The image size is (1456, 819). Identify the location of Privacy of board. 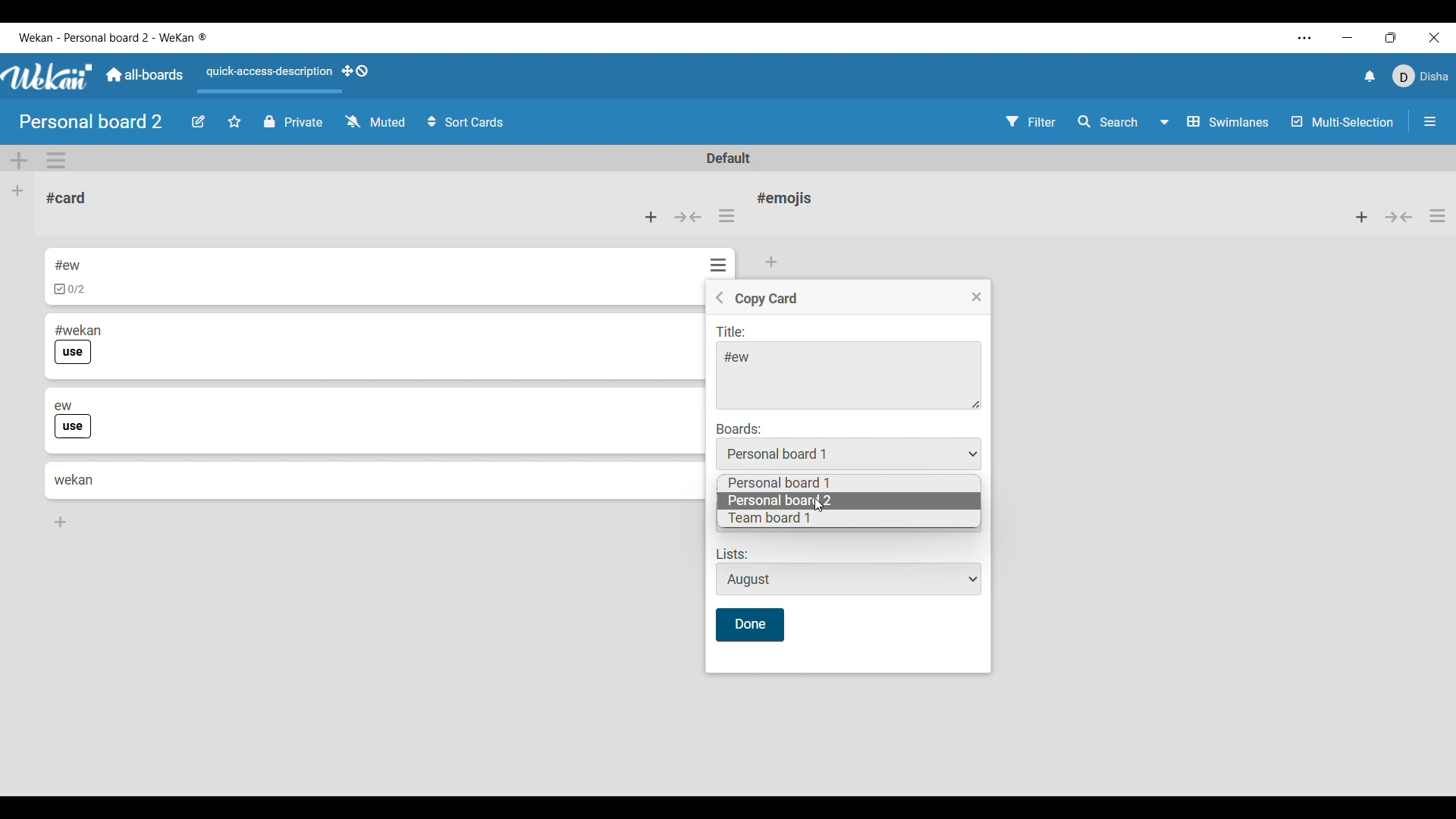
(293, 121).